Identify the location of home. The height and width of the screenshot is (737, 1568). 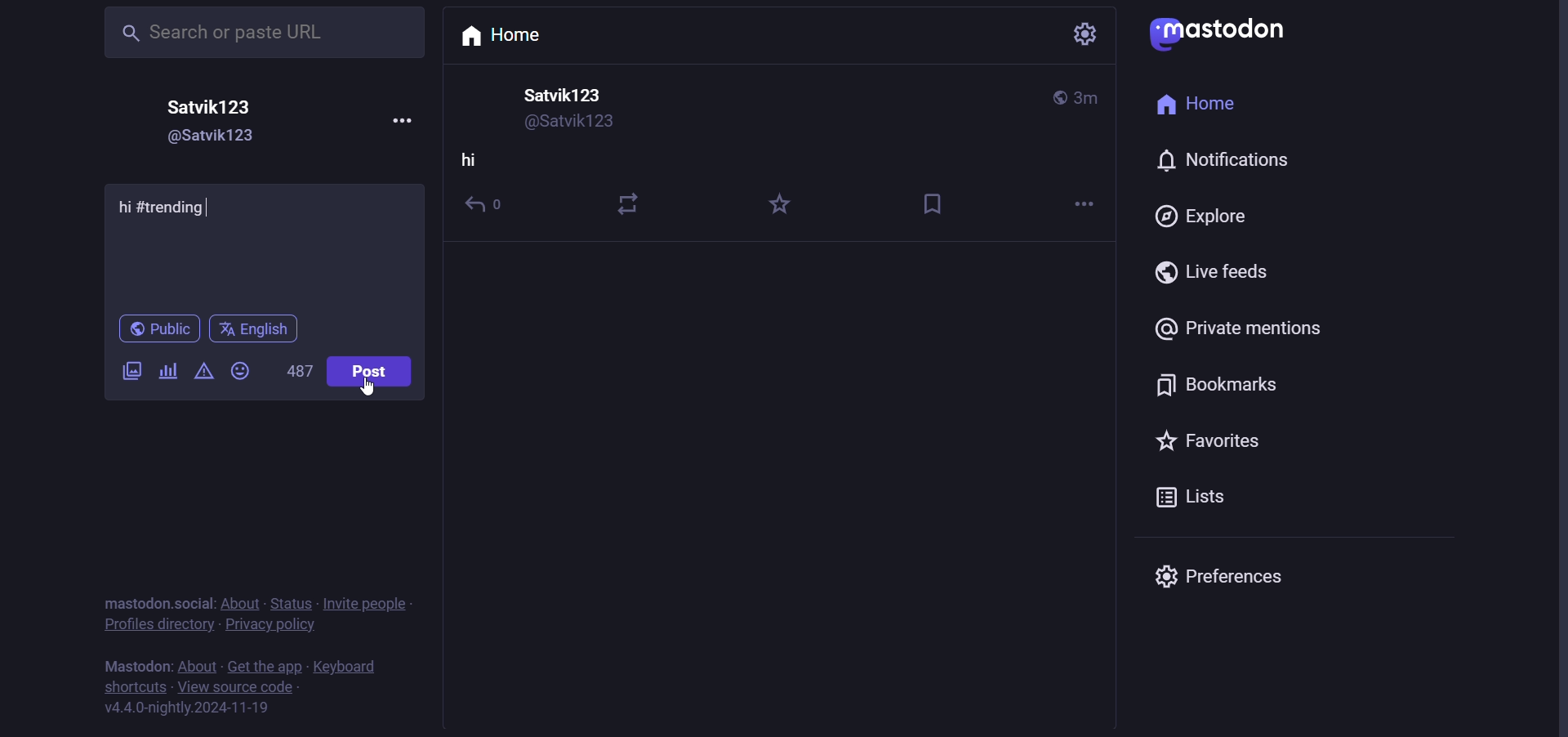
(1196, 105).